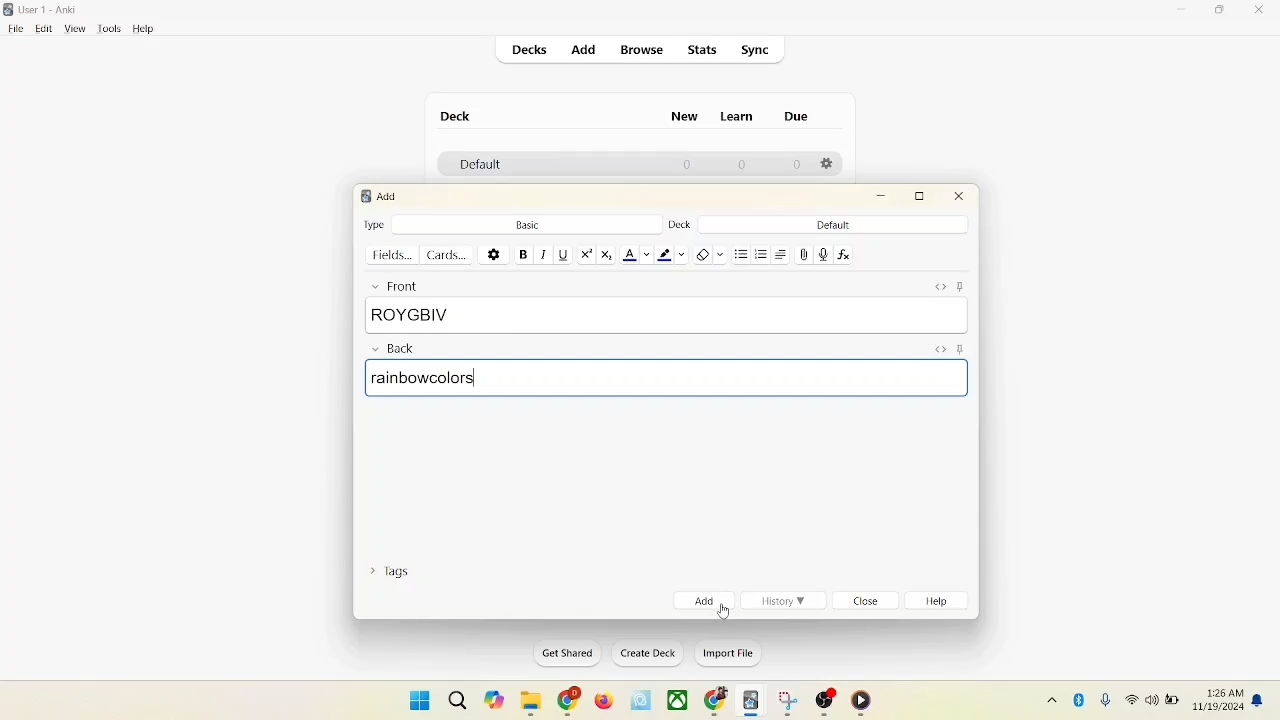 This screenshot has height=720, width=1280. What do you see at coordinates (960, 199) in the screenshot?
I see `close` at bounding box center [960, 199].